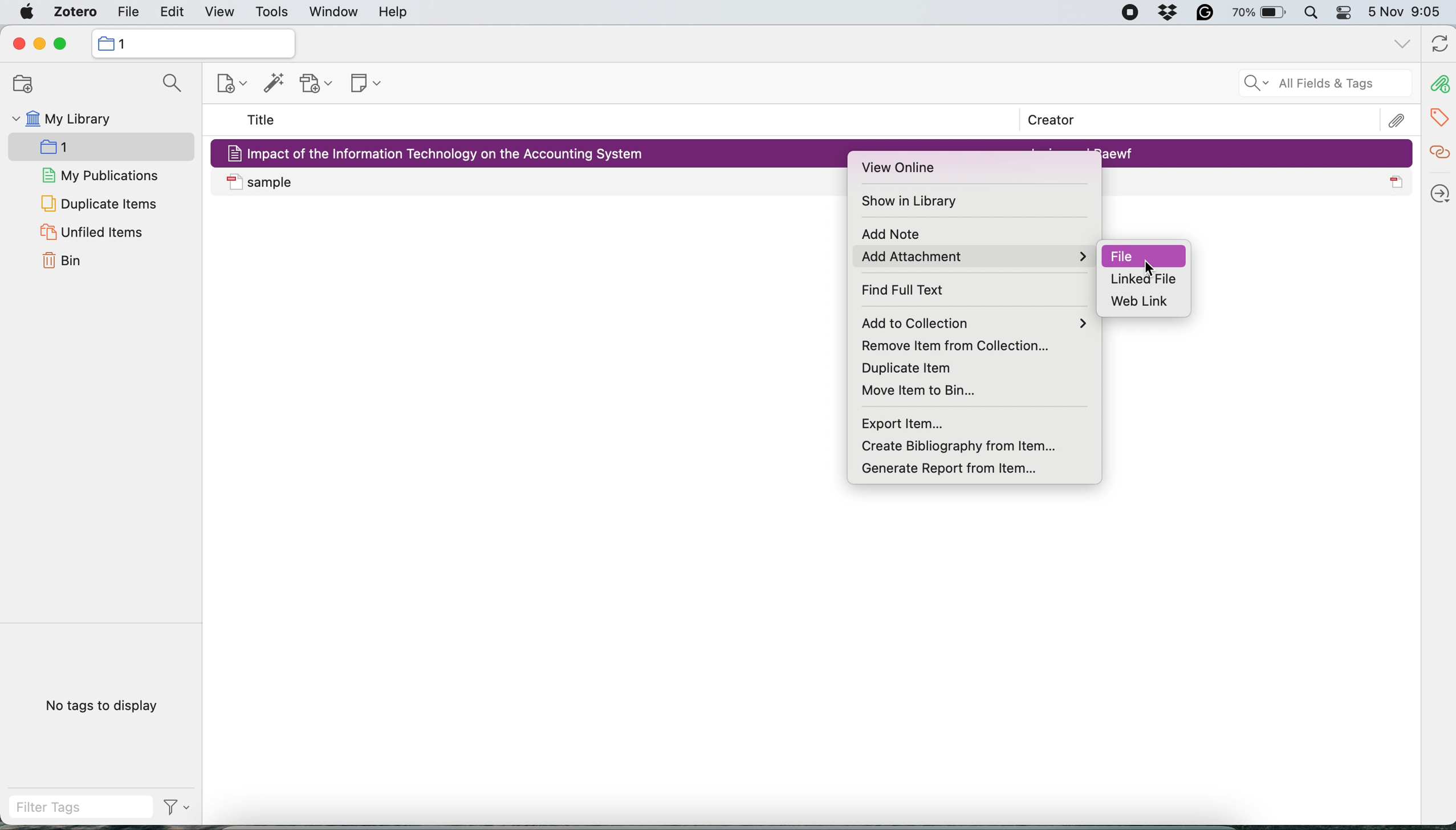 Image resolution: width=1456 pixels, height=830 pixels. I want to click on no tags to display, so click(104, 705).